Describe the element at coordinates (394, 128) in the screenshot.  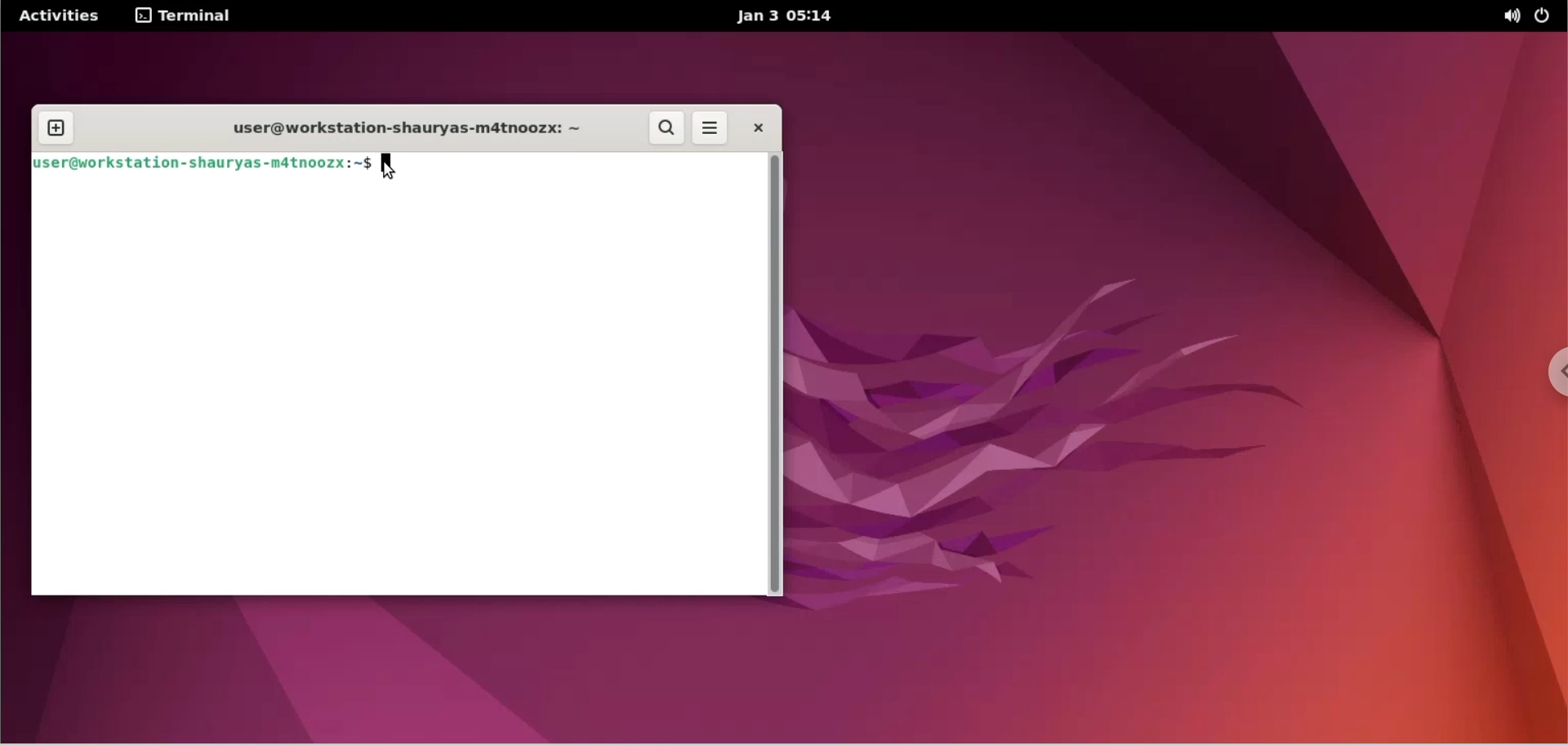
I see `user@workstation-shauryas-m4tnoozx: ~` at that location.